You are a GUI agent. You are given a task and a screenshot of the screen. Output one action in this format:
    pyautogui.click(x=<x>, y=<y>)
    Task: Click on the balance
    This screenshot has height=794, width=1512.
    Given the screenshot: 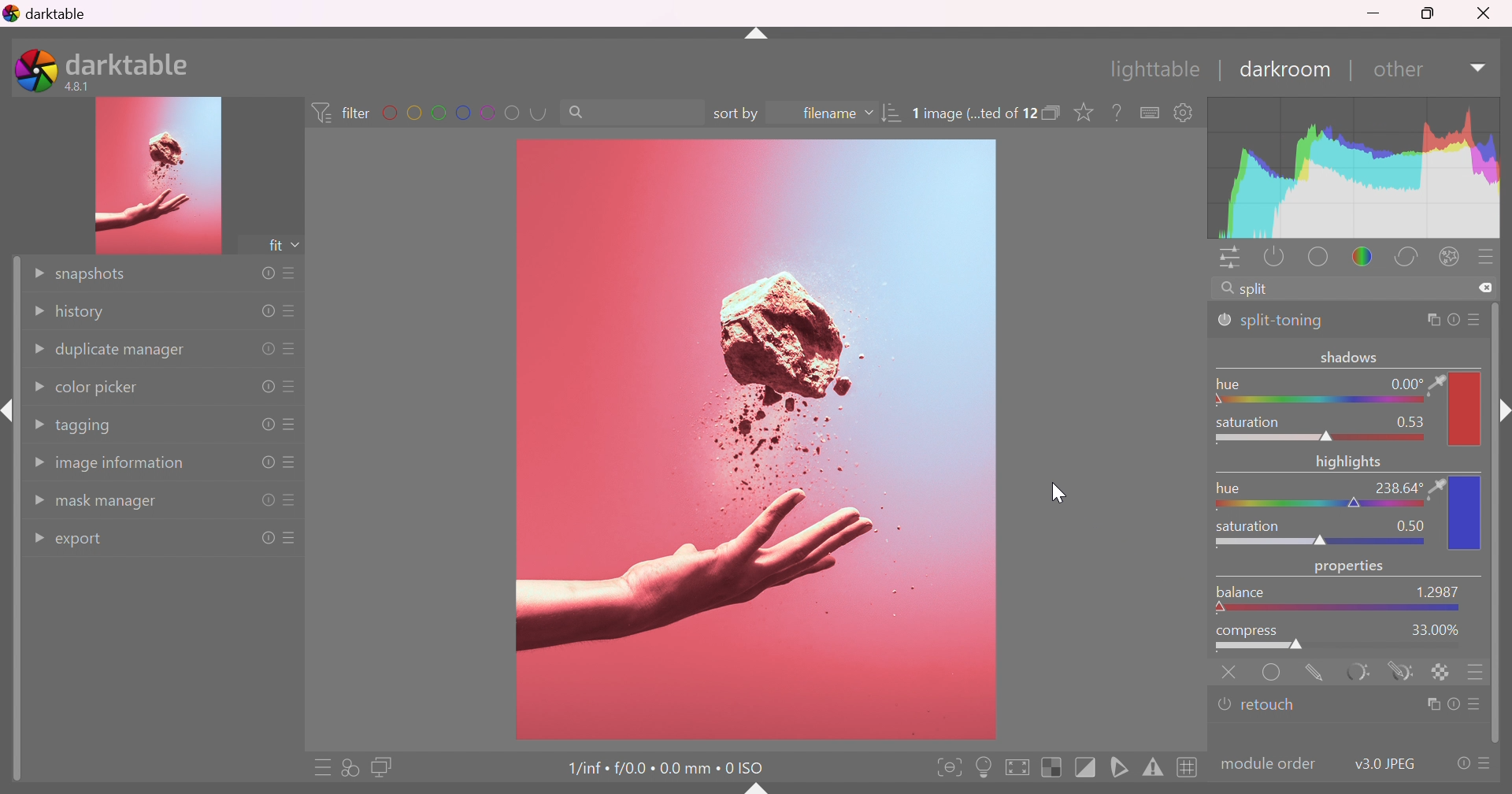 What is the action you would take?
    pyautogui.click(x=1240, y=591)
    